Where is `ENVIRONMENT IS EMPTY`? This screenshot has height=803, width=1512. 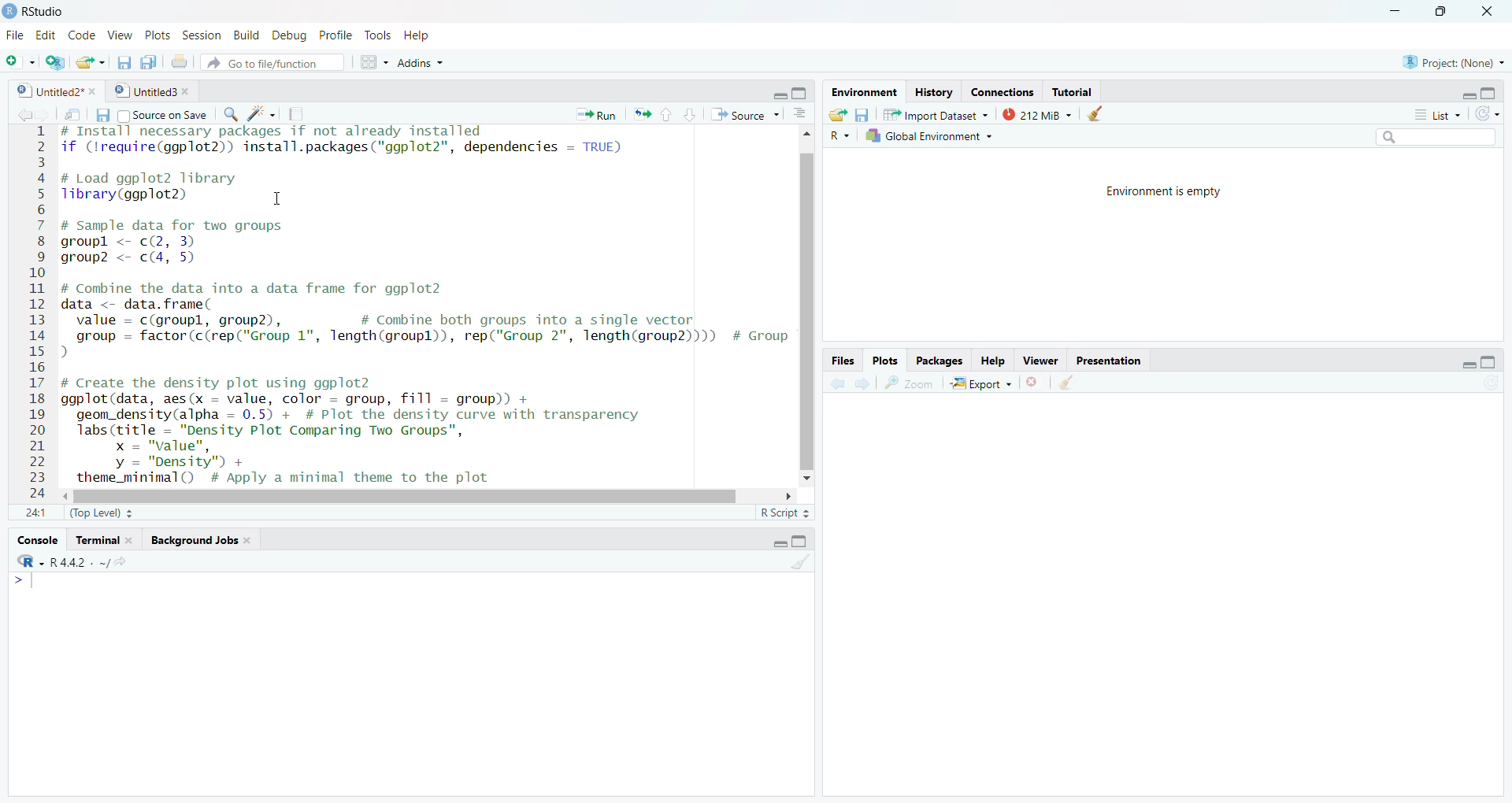 ENVIRONMENT IS EMPTY is located at coordinates (1188, 198).